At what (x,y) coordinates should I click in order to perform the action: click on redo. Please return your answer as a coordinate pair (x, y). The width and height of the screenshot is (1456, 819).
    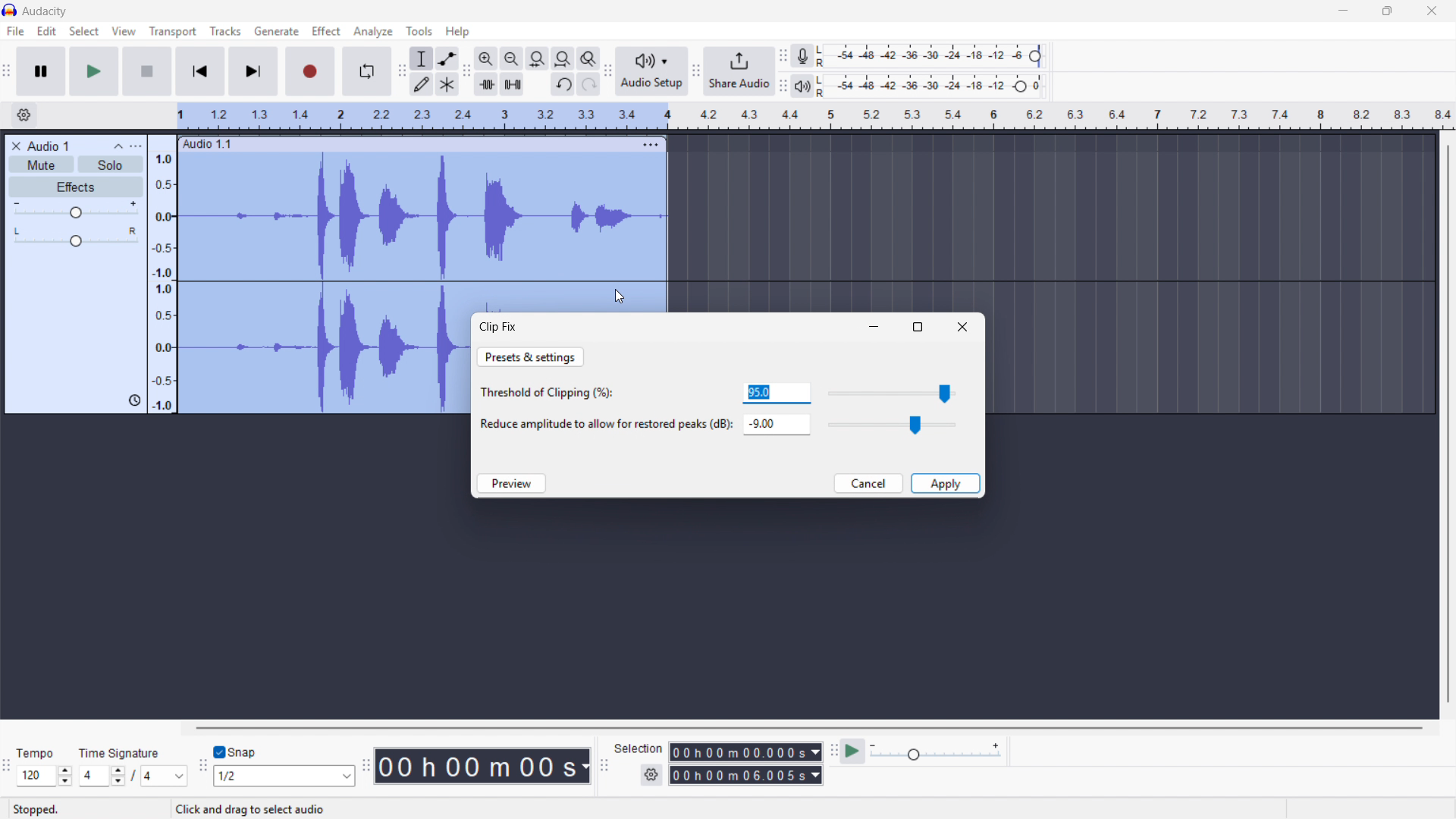
    Looking at the image, I should click on (588, 85).